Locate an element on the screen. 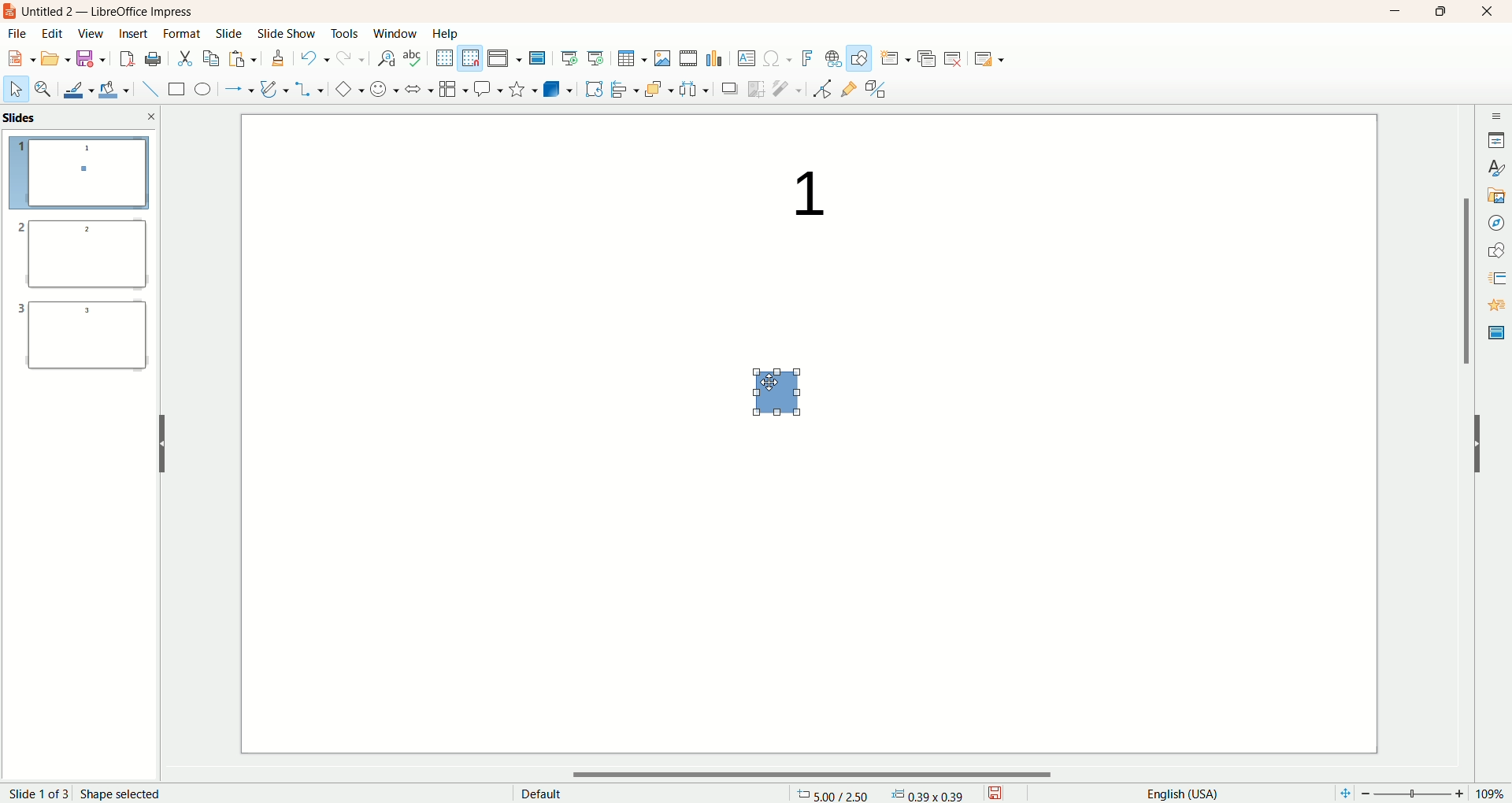 The width and height of the screenshot is (1512, 803). close is located at coordinates (1488, 13).